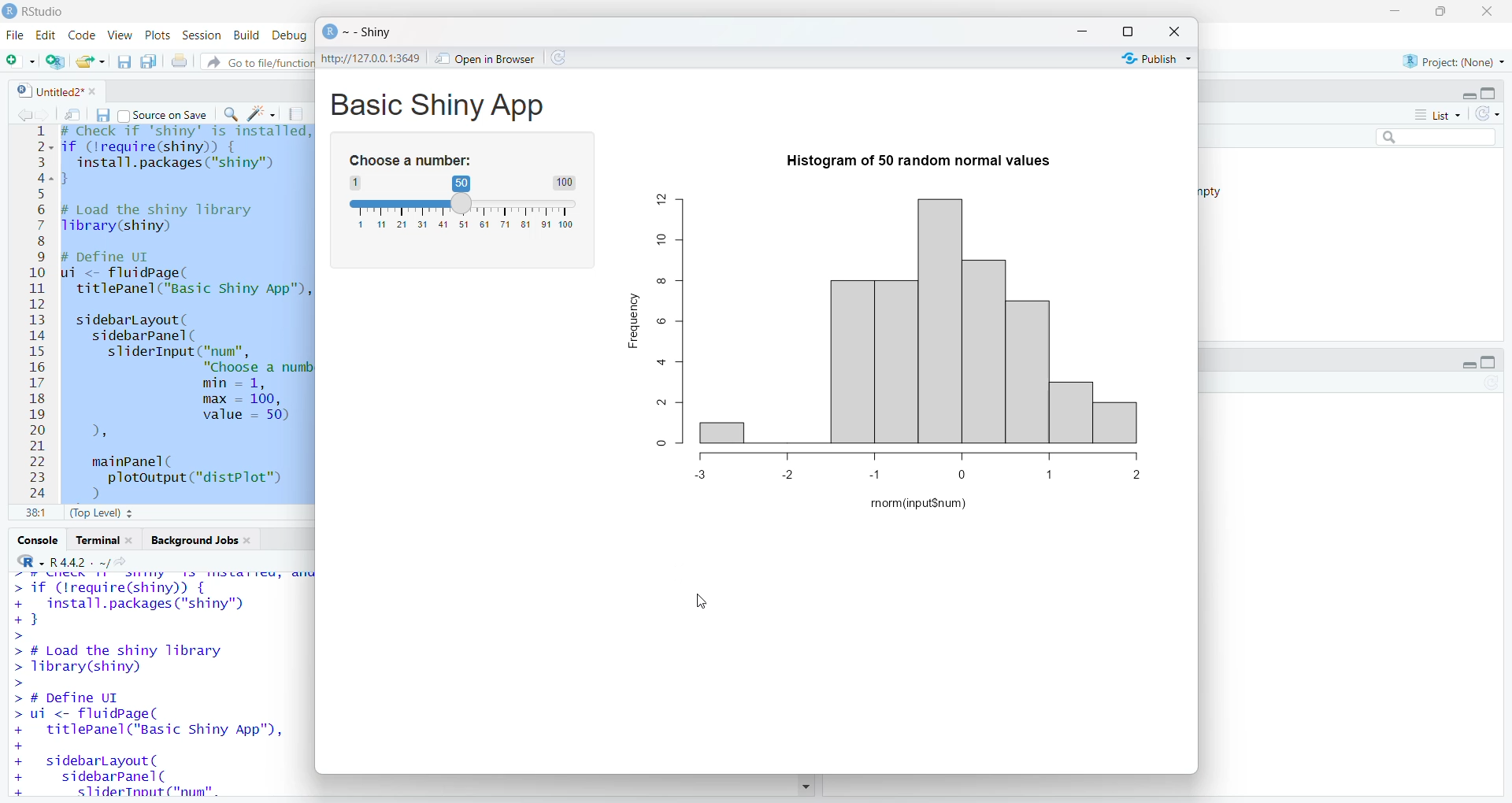 The width and height of the screenshot is (1512, 803). What do you see at coordinates (187, 378) in the screenshot?
I see `sidebarLayout (sidebarpanel(sliderInput("num","Choose a number:",min = 1,max = 100,value = 50),` at bounding box center [187, 378].